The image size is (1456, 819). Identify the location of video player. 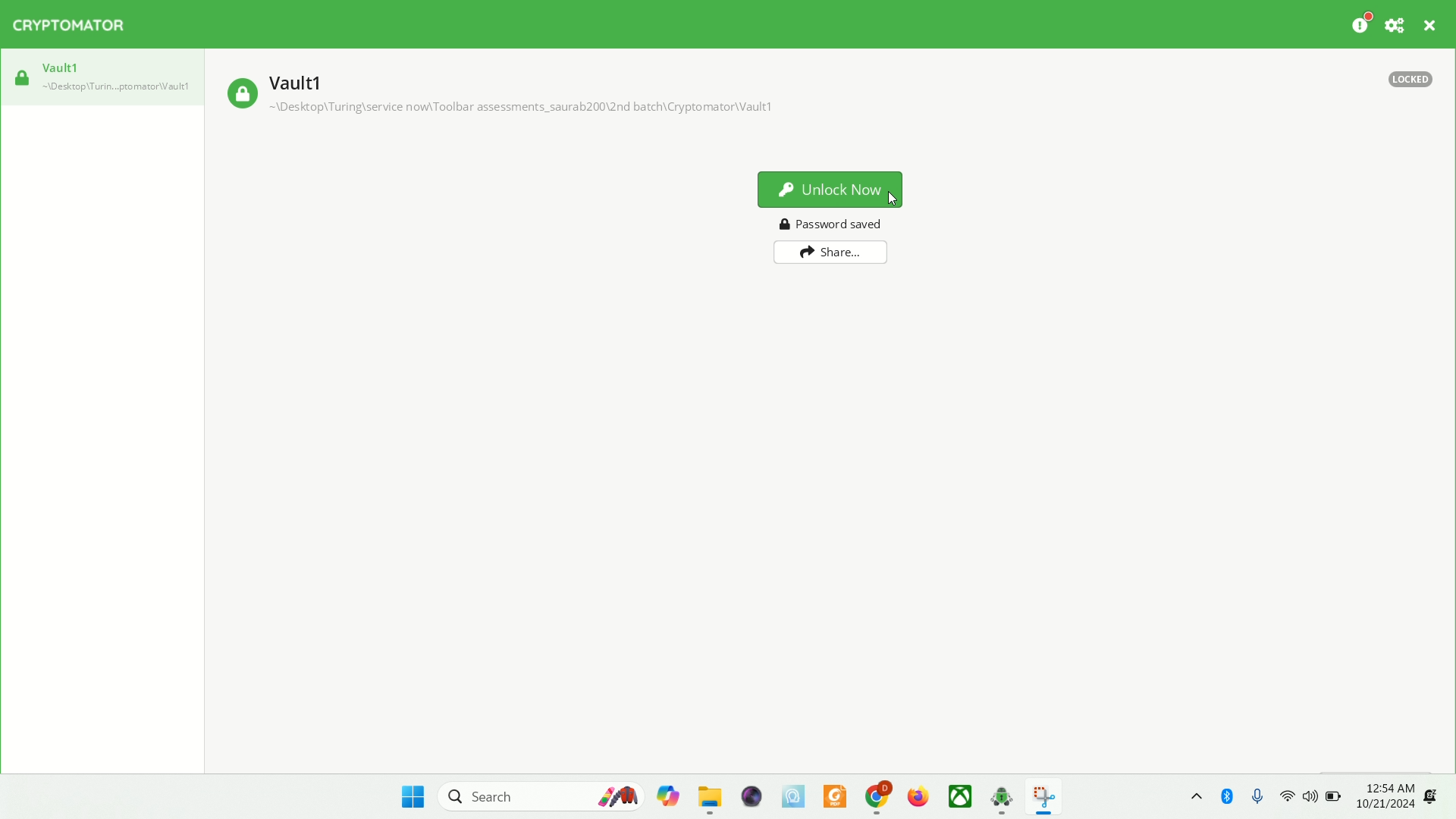
(748, 795).